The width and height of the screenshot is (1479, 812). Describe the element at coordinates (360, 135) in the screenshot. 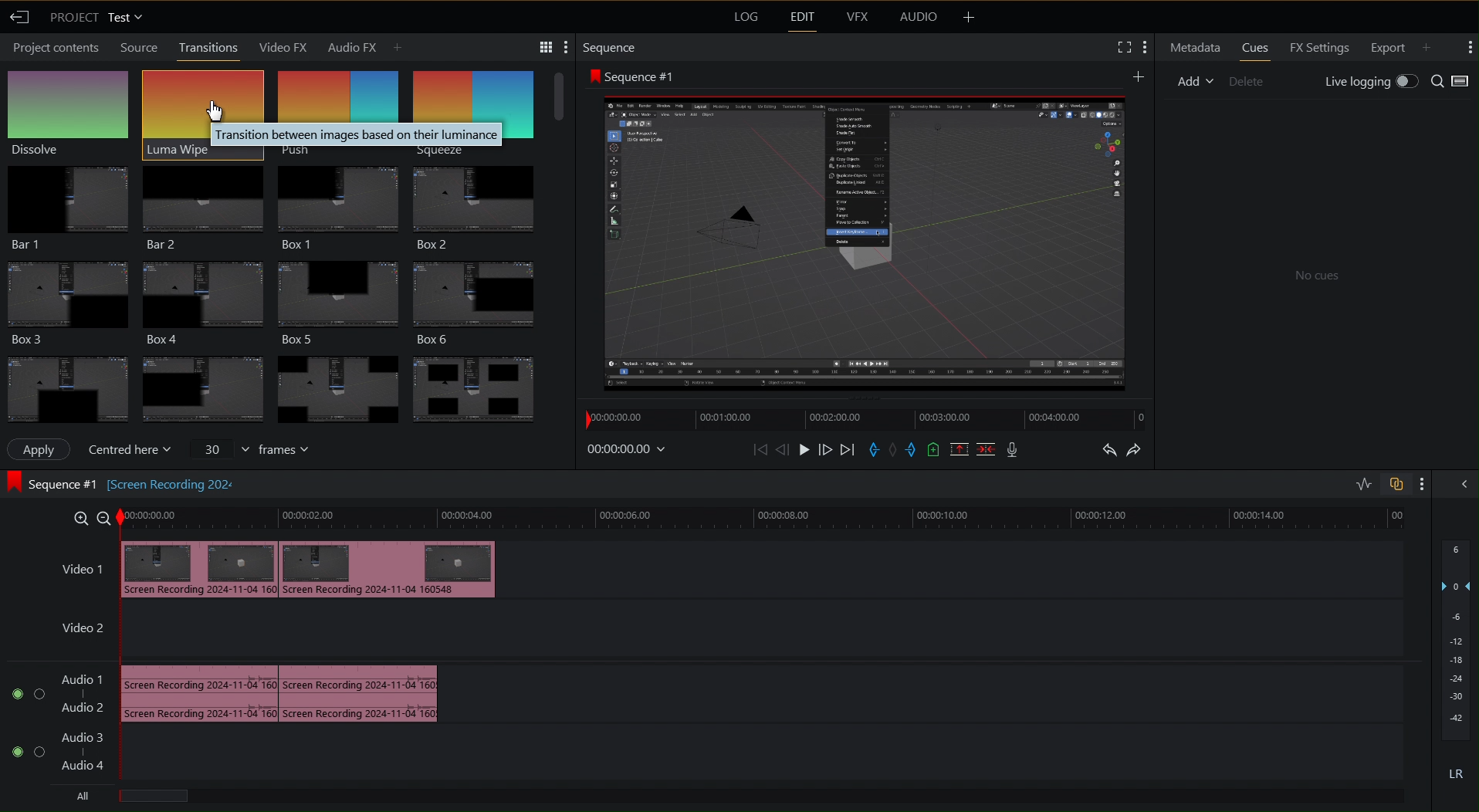

I see `Transition between images based on their luminance` at that location.